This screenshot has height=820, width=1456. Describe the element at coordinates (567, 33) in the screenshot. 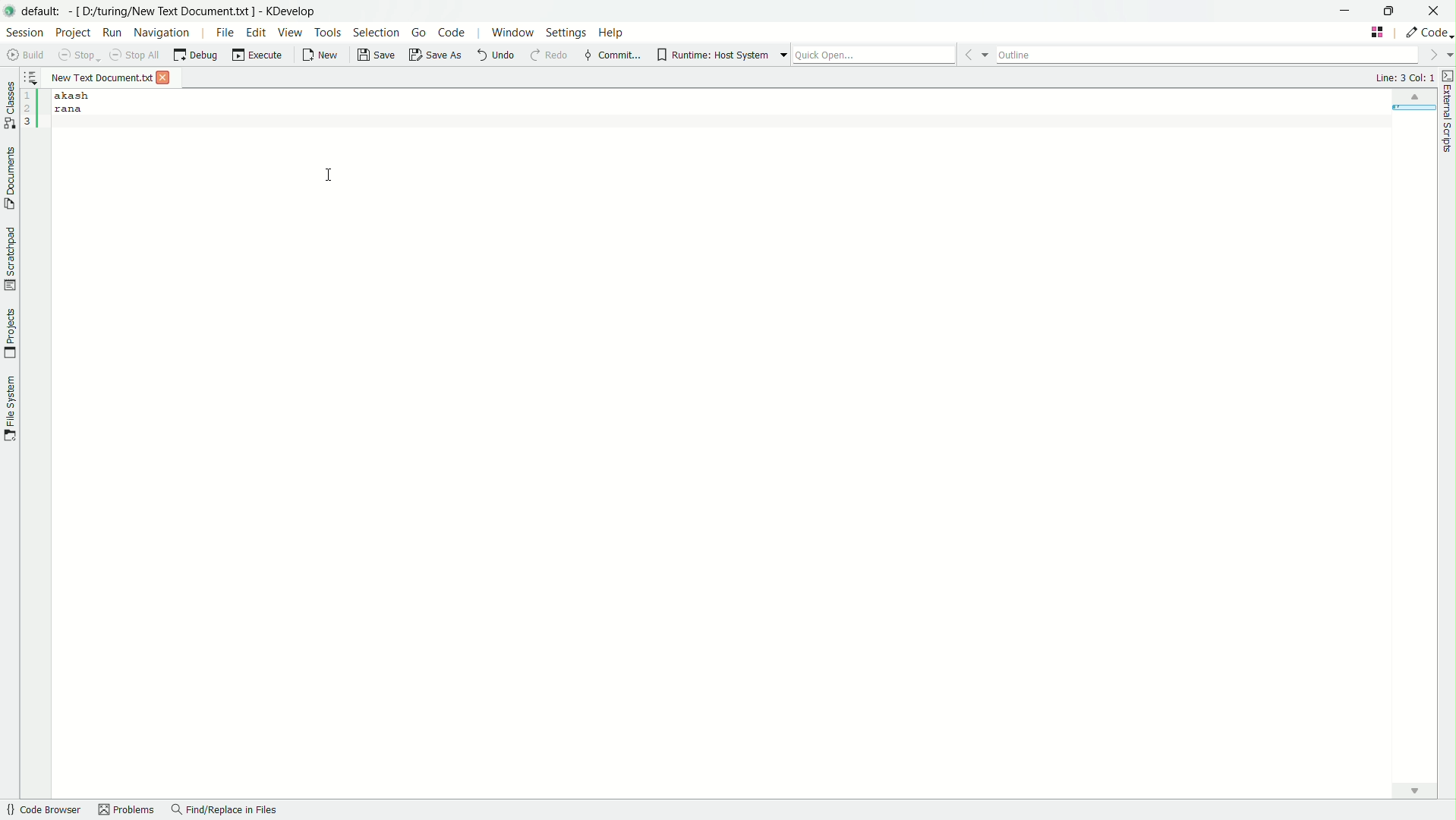

I see `settings menu` at that location.